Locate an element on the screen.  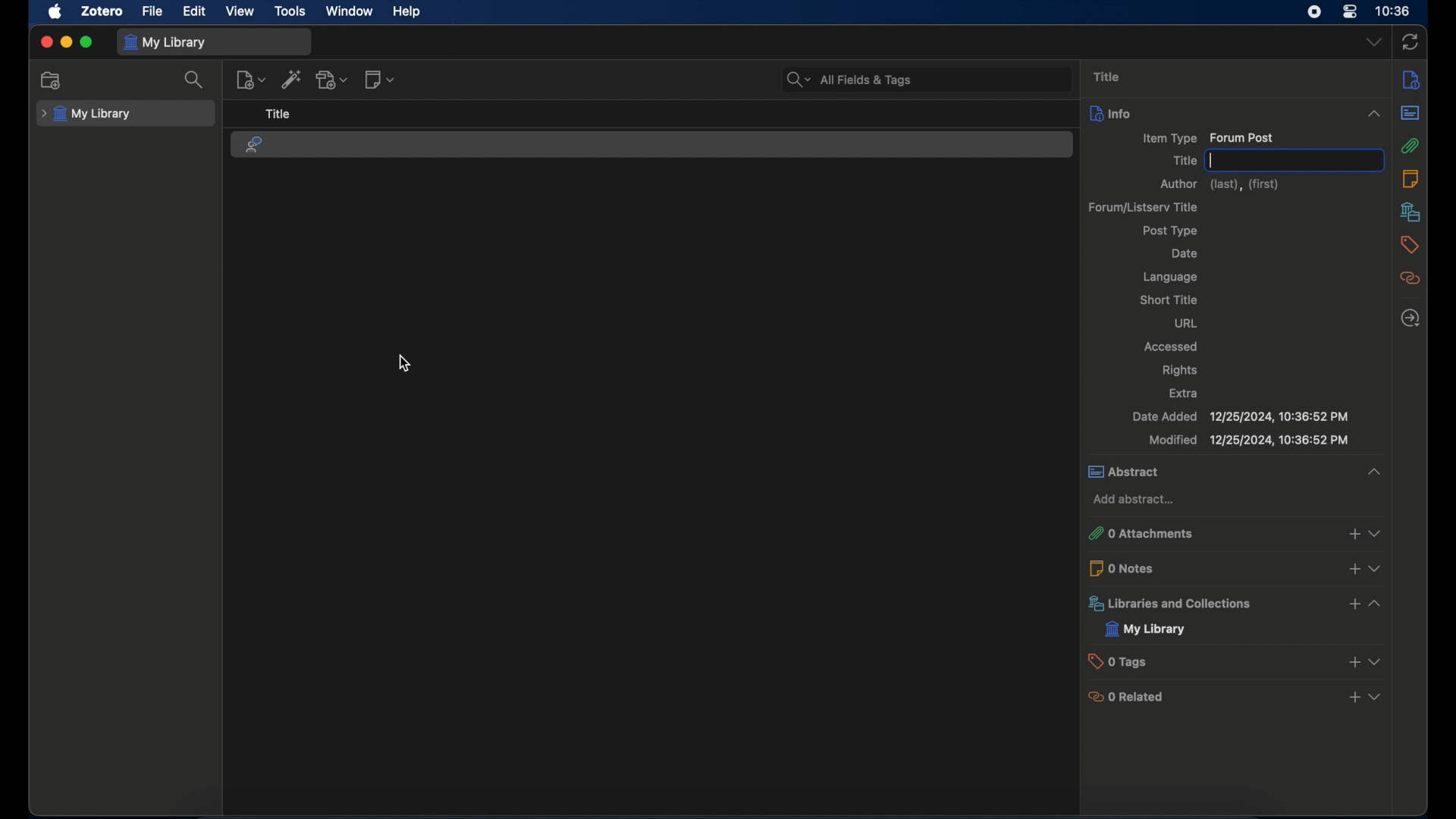
tools is located at coordinates (290, 11).